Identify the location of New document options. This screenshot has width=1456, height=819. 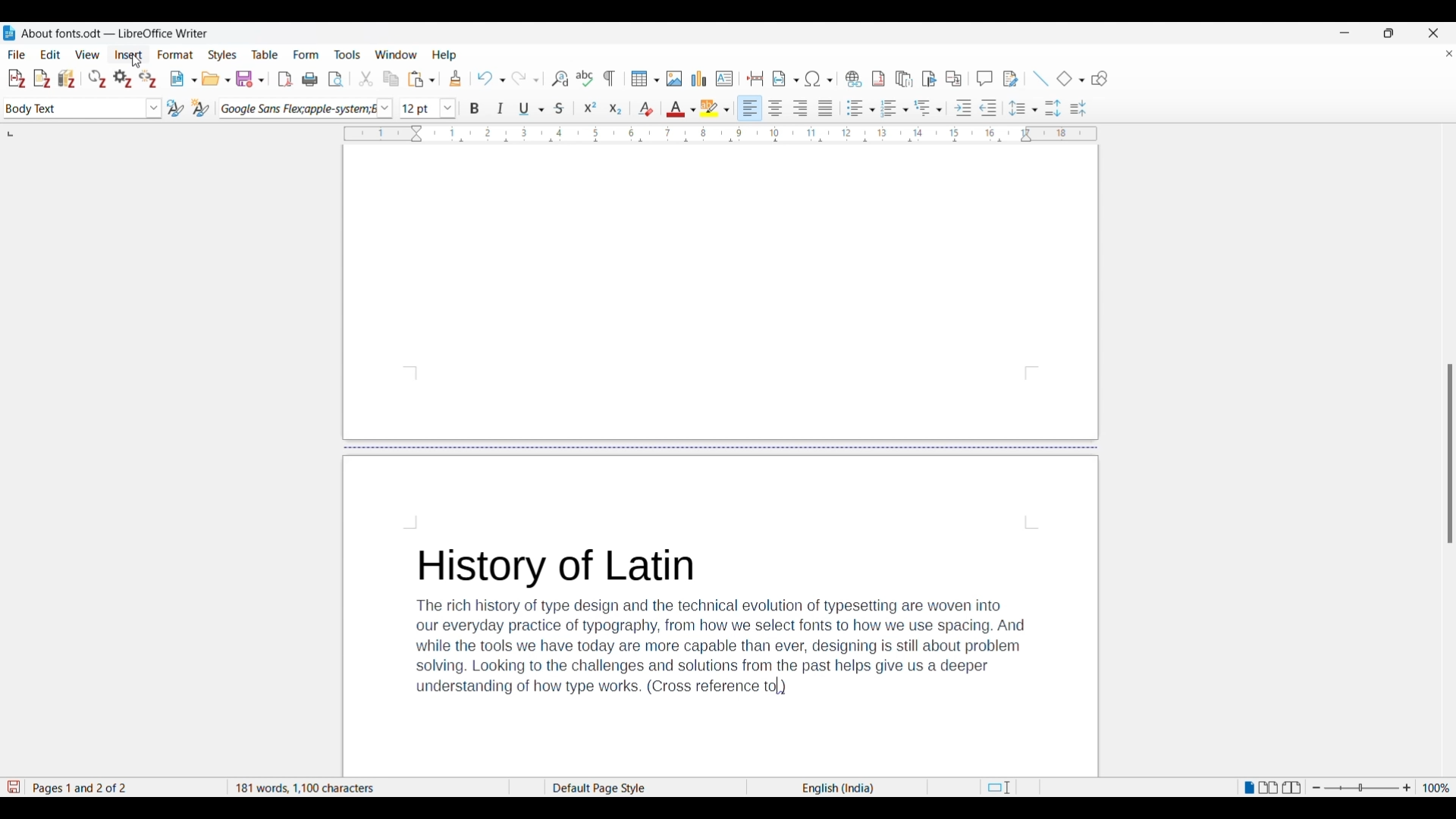
(184, 79).